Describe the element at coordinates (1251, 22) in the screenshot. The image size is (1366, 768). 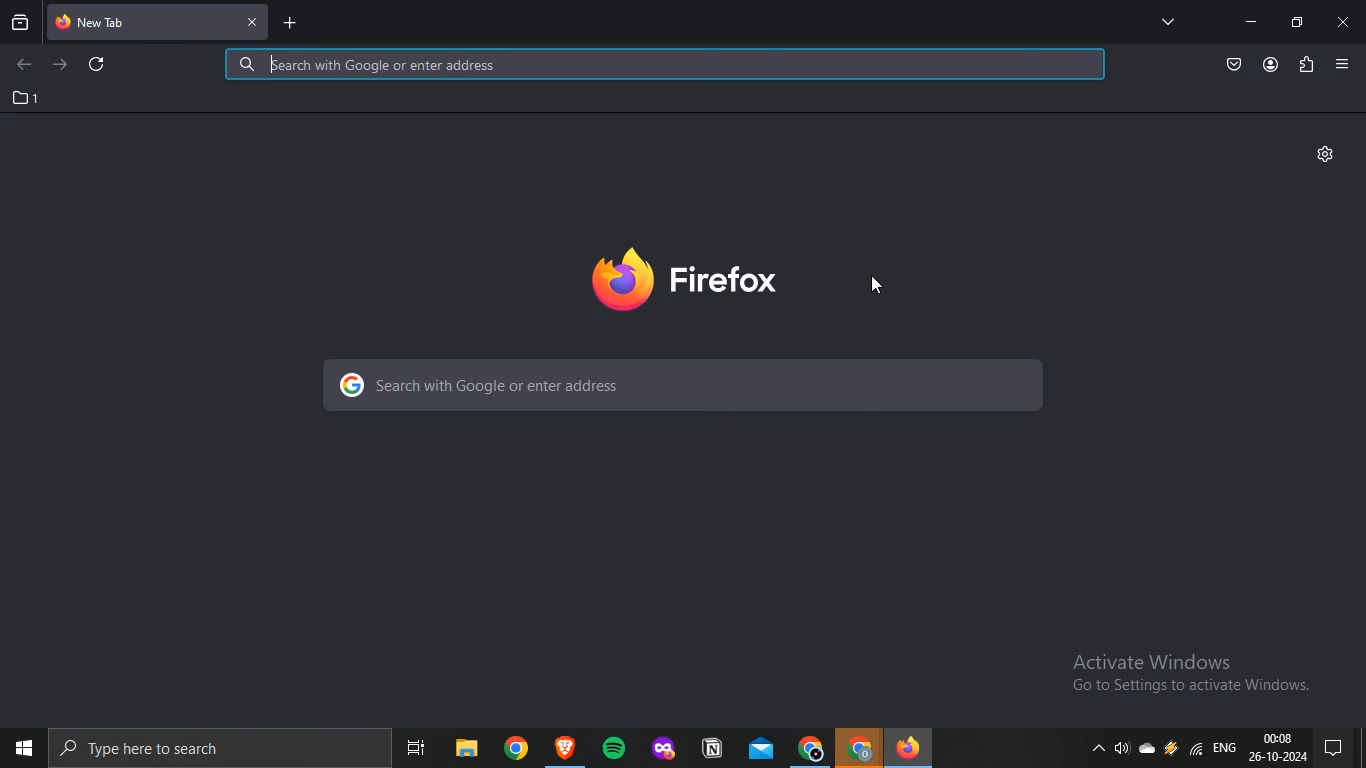
I see `minimize` at that location.